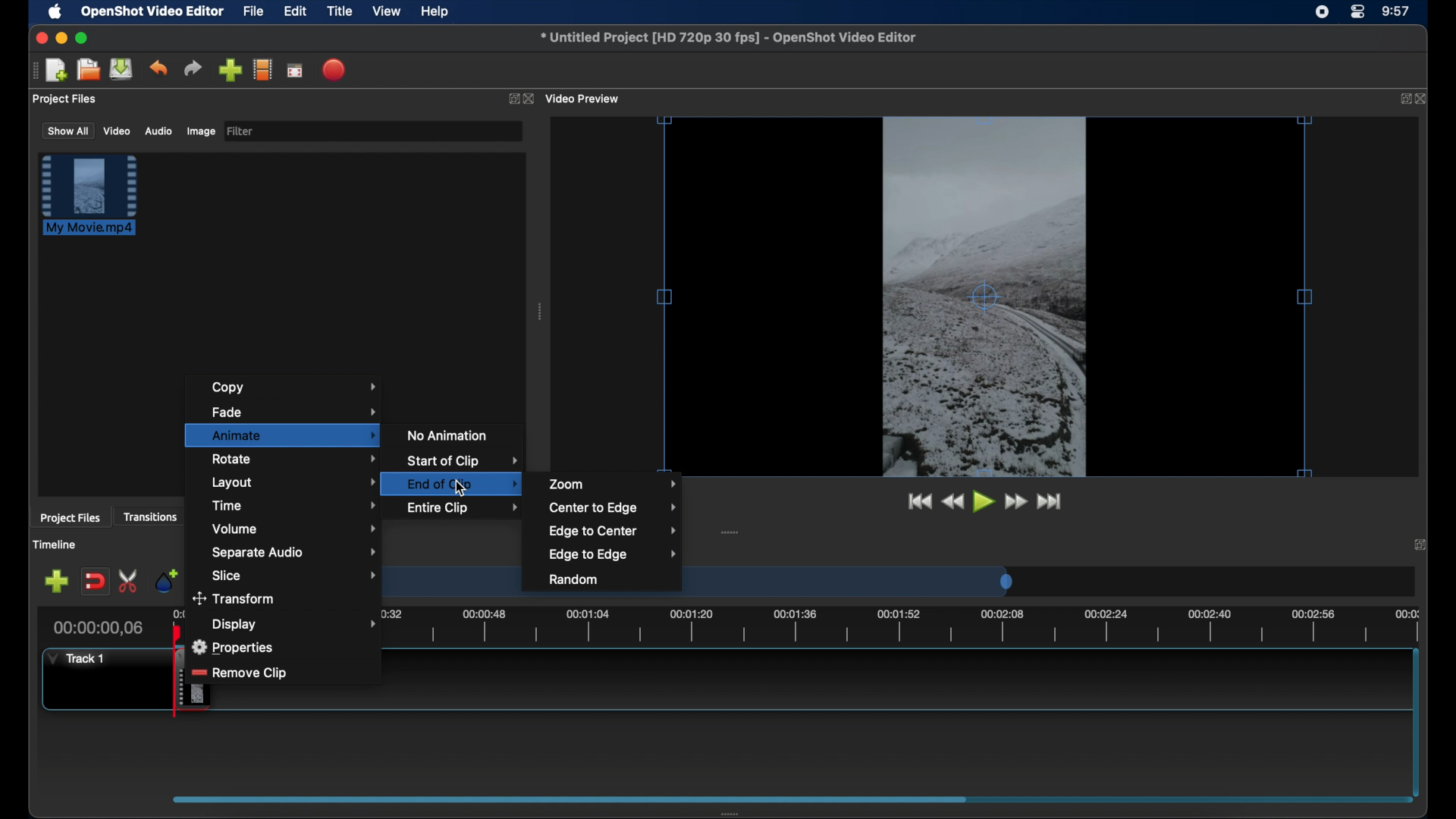 This screenshot has height=819, width=1456. What do you see at coordinates (460, 488) in the screenshot?
I see `cursor` at bounding box center [460, 488].